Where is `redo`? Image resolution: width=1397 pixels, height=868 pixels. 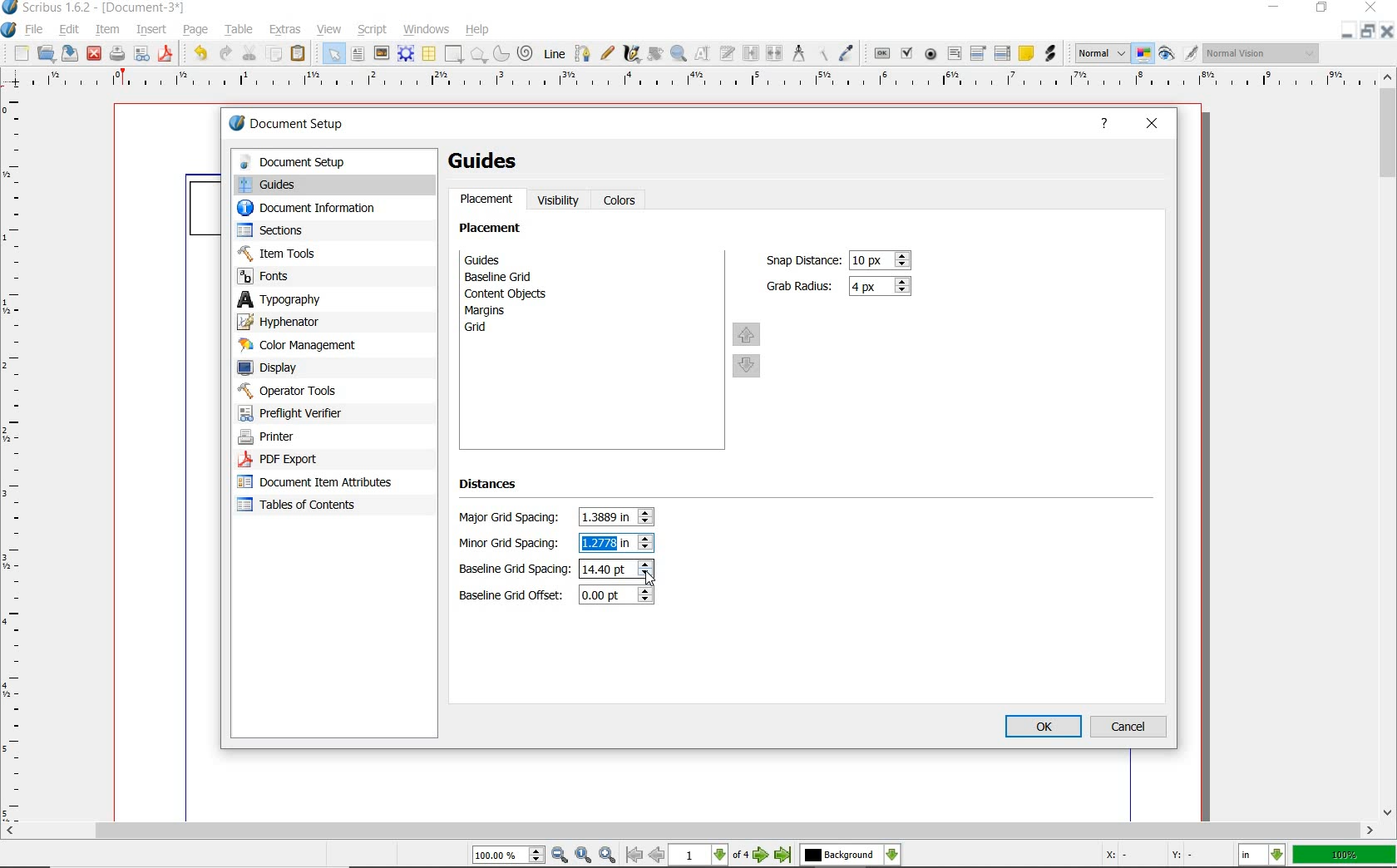
redo is located at coordinates (225, 54).